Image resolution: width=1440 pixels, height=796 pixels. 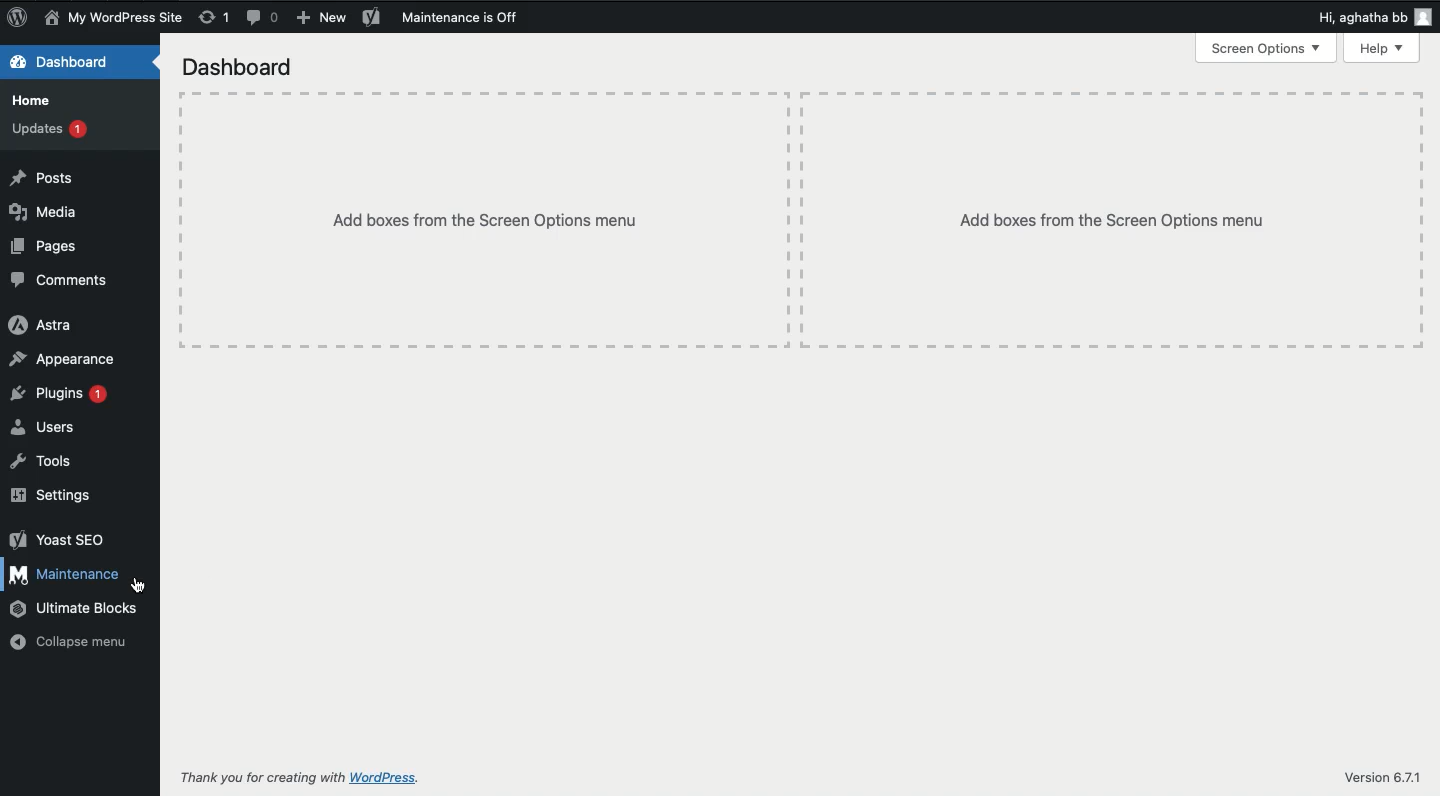 What do you see at coordinates (467, 17) in the screenshot?
I see `Maintenance is off` at bounding box center [467, 17].